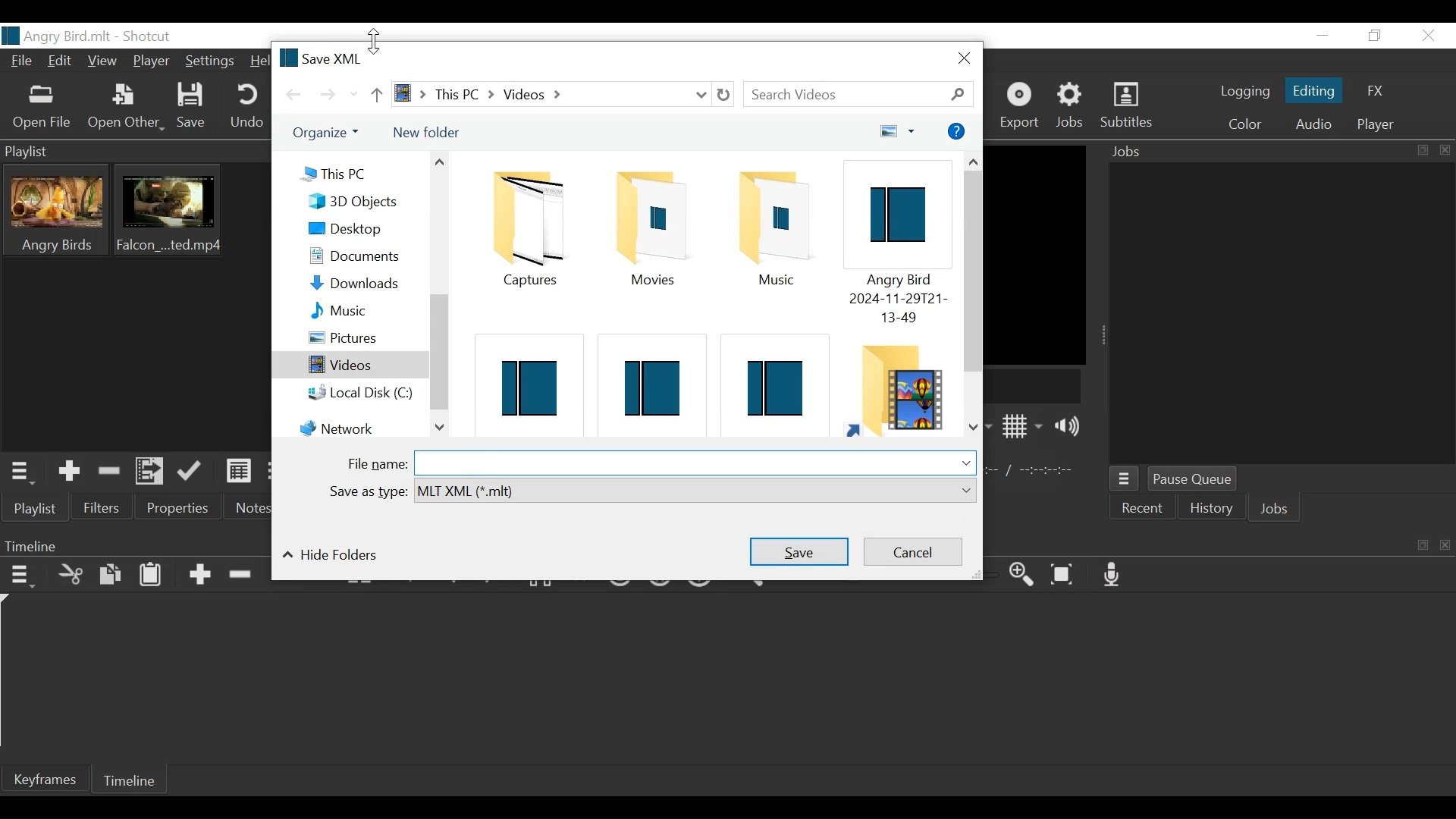 The image size is (1456, 819). I want to click on Append, so click(199, 575).